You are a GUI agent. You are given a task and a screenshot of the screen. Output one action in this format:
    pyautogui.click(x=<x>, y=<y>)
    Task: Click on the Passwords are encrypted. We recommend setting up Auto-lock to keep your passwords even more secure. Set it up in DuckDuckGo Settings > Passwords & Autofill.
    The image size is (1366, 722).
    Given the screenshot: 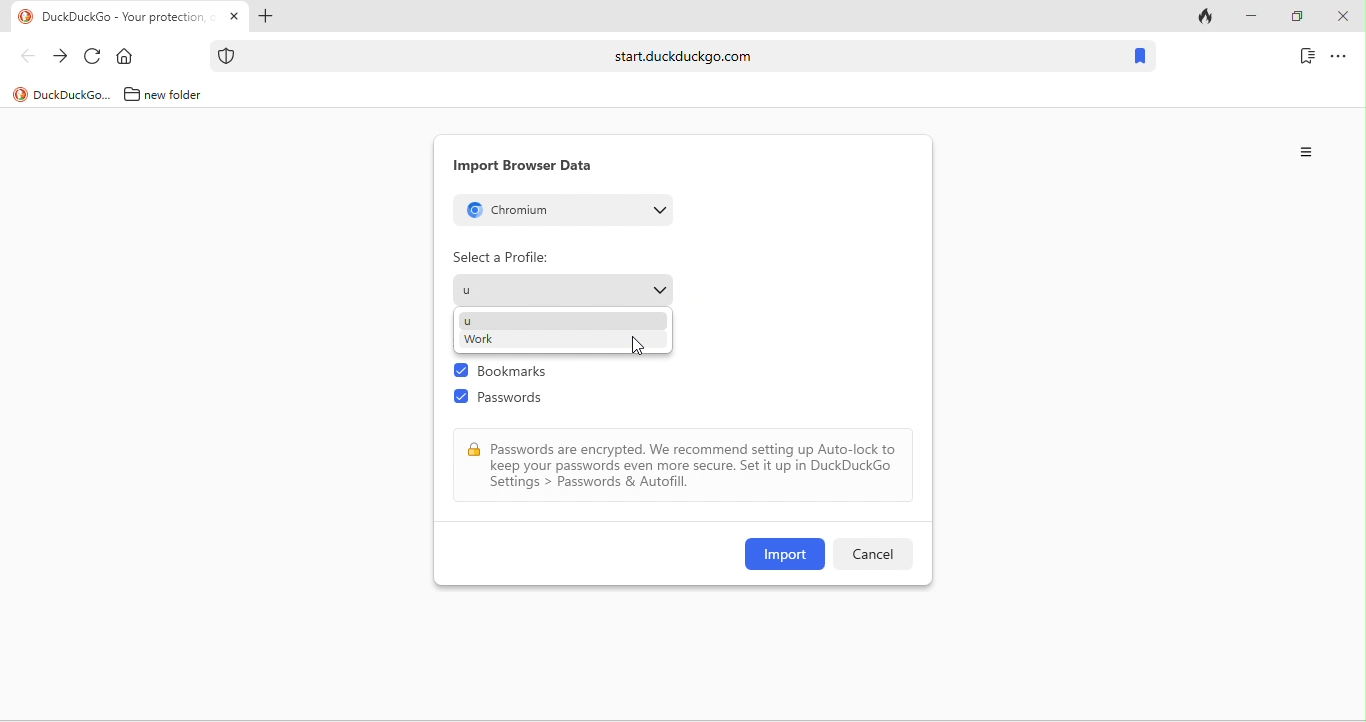 What is the action you would take?
    pyautogui.click(x=695, y=466)
    